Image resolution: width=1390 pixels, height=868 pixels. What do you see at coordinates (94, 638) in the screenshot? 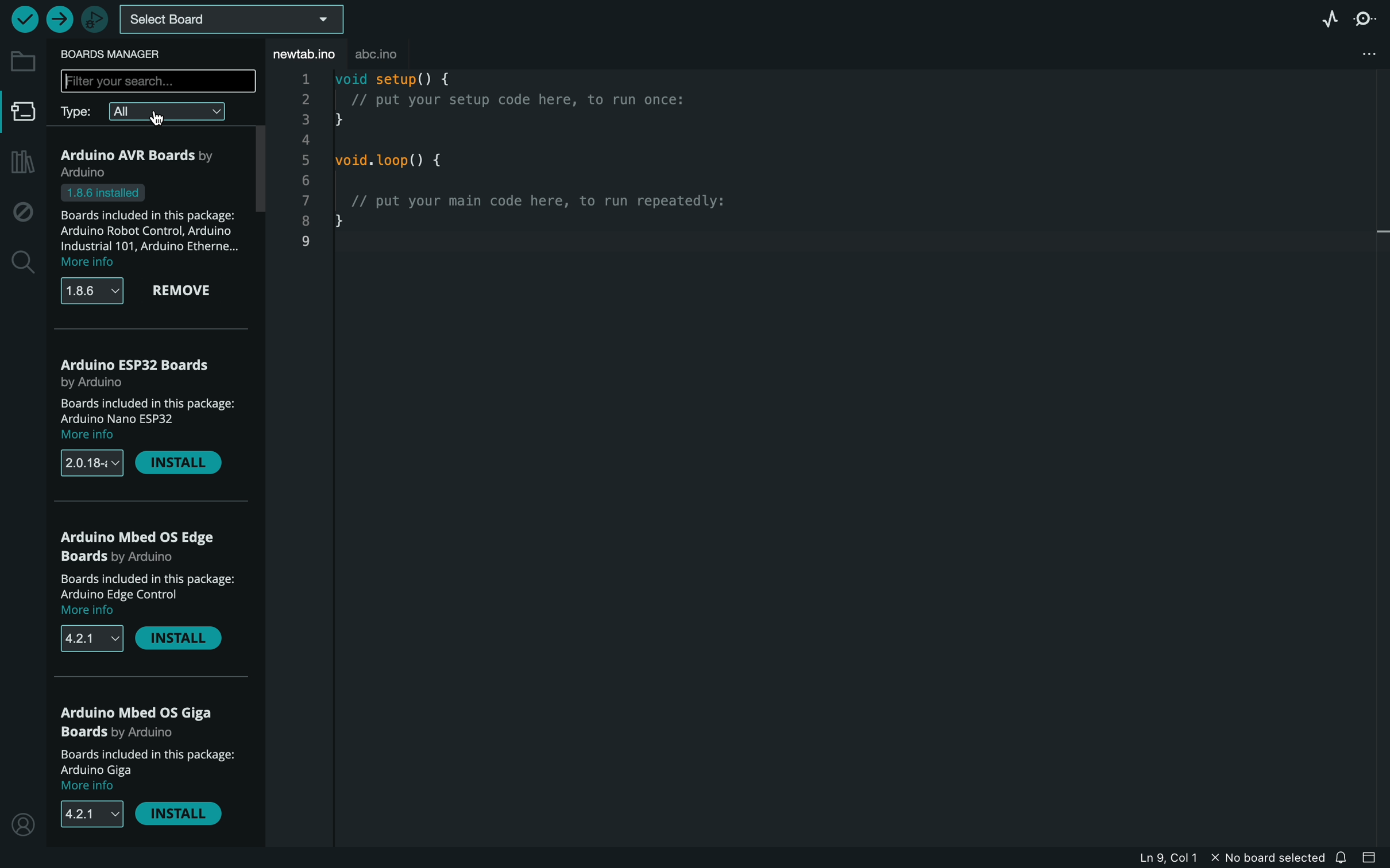
I see `versions` at bounding box center [94, 638].